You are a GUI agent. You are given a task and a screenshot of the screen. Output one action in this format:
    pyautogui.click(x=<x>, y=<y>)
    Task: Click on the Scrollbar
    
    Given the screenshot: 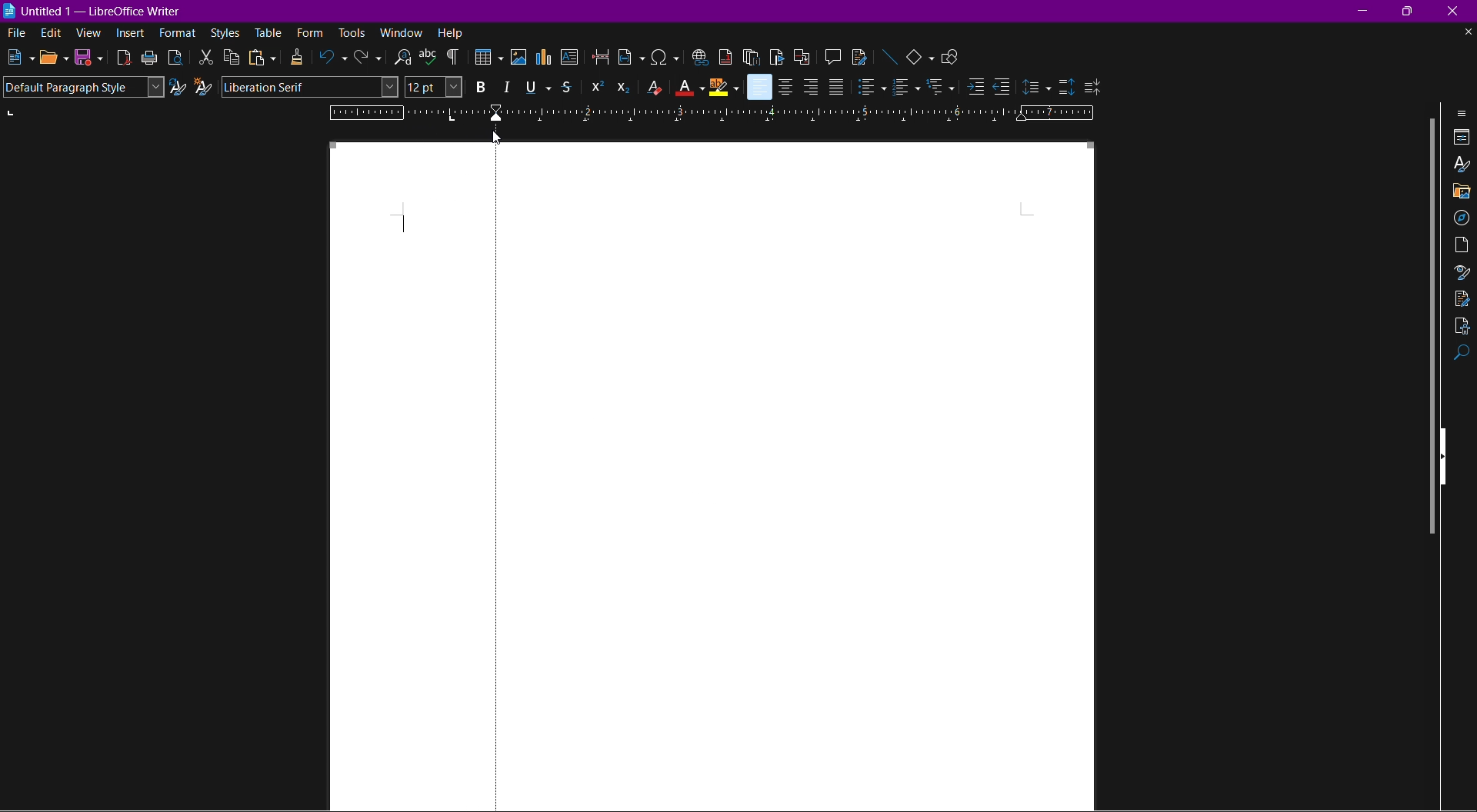 What is the action you would take?
    pyautogui.click(x=1425, y=328)
    